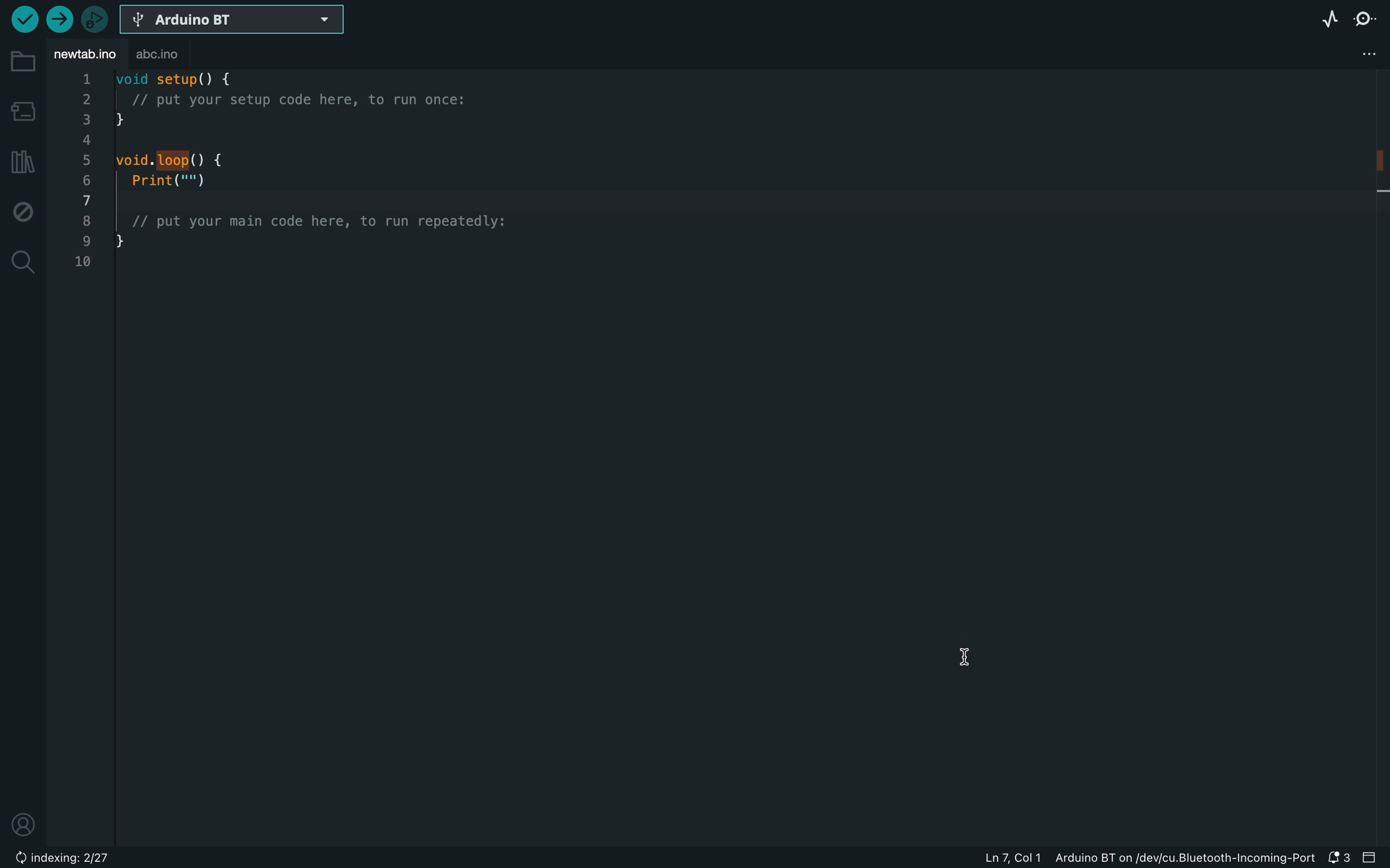 The image size is (1390, 868). What do you see at coordinates (86, 55) in the screenshot?
I see `file tab` at bounding box center [86, 55].